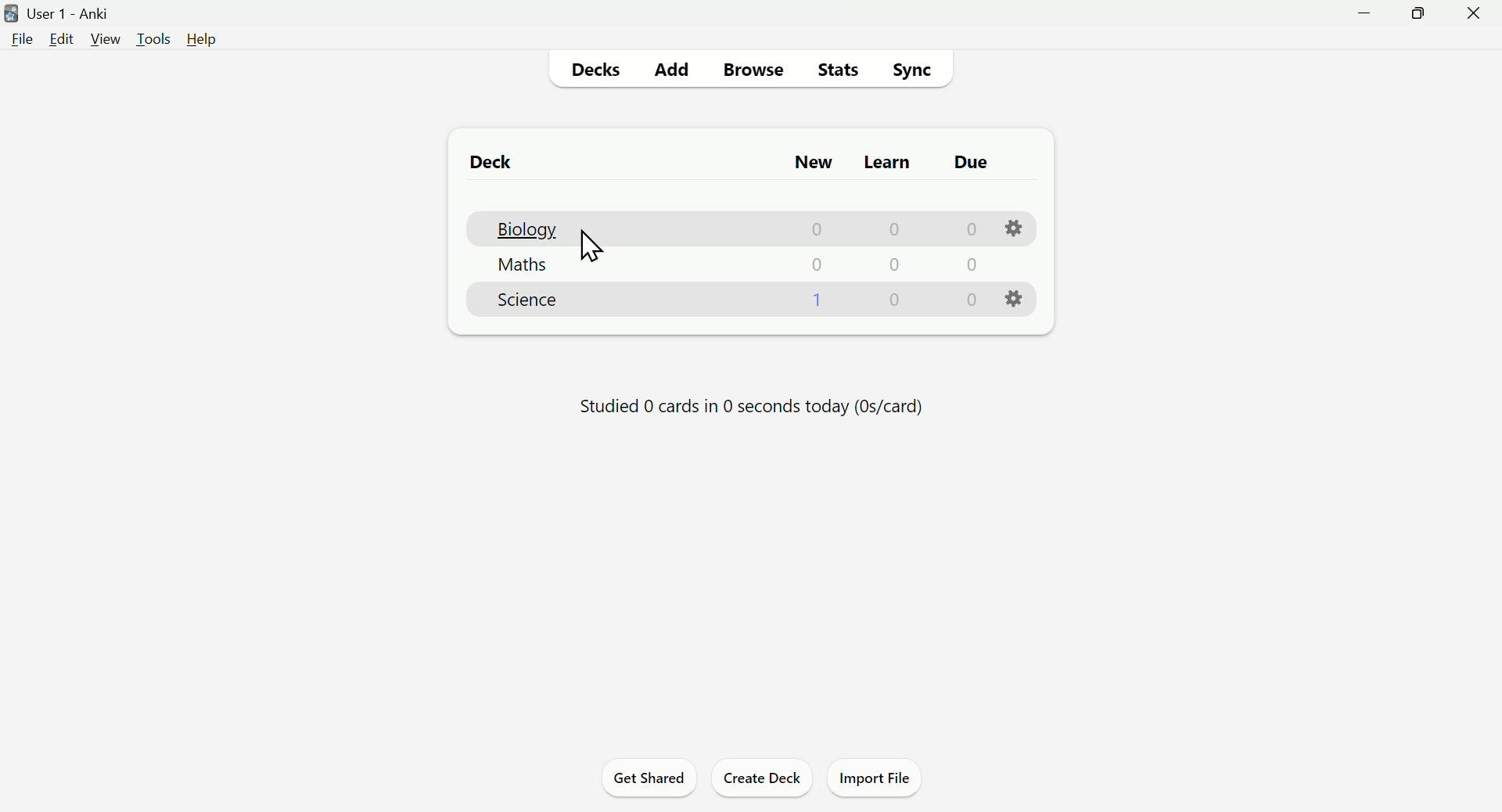 The height and width of the screenshot is (812, 1502). I want to click on Sync, so click(916, 67).